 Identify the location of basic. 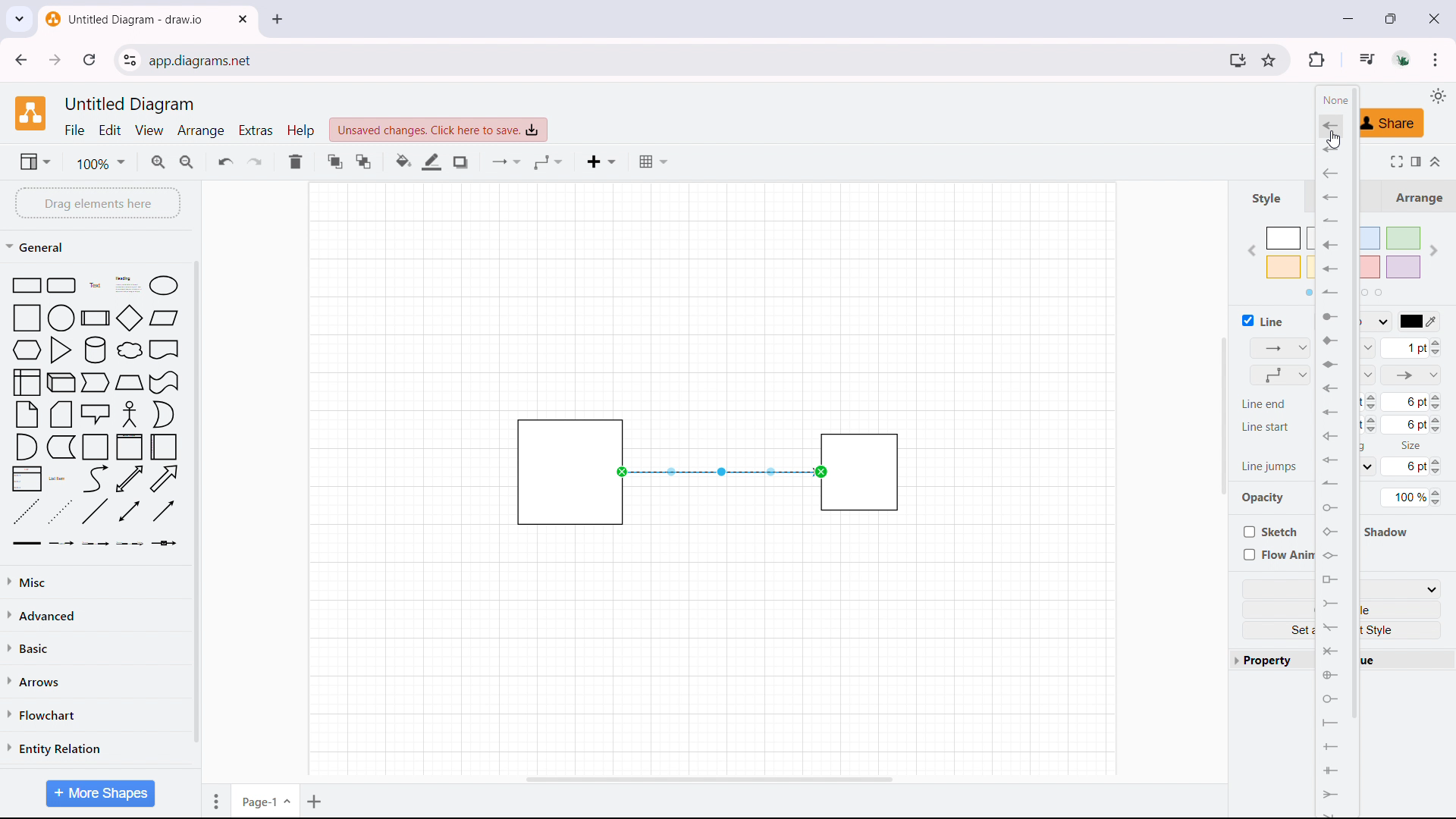
(98, 645).